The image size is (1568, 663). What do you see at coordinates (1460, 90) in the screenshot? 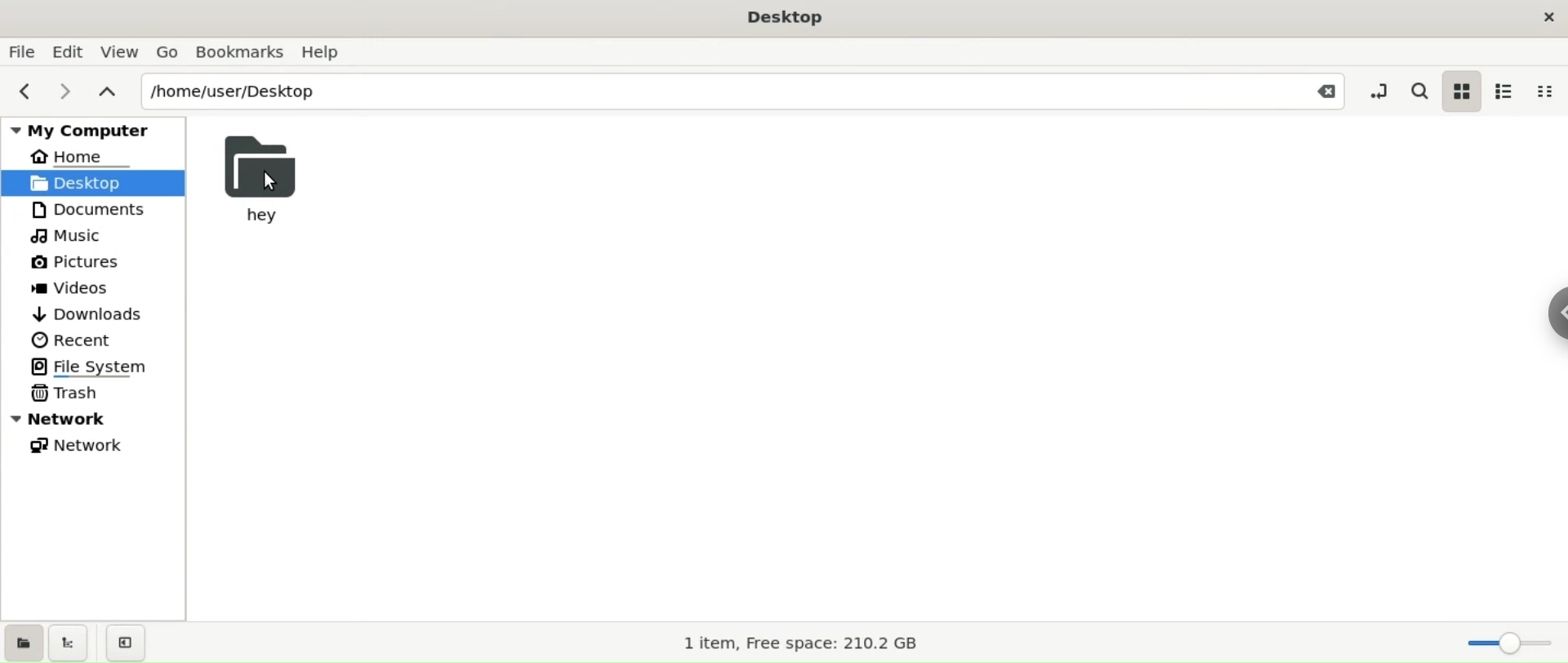
I see `icon view` at bounding box center [1460, 90].